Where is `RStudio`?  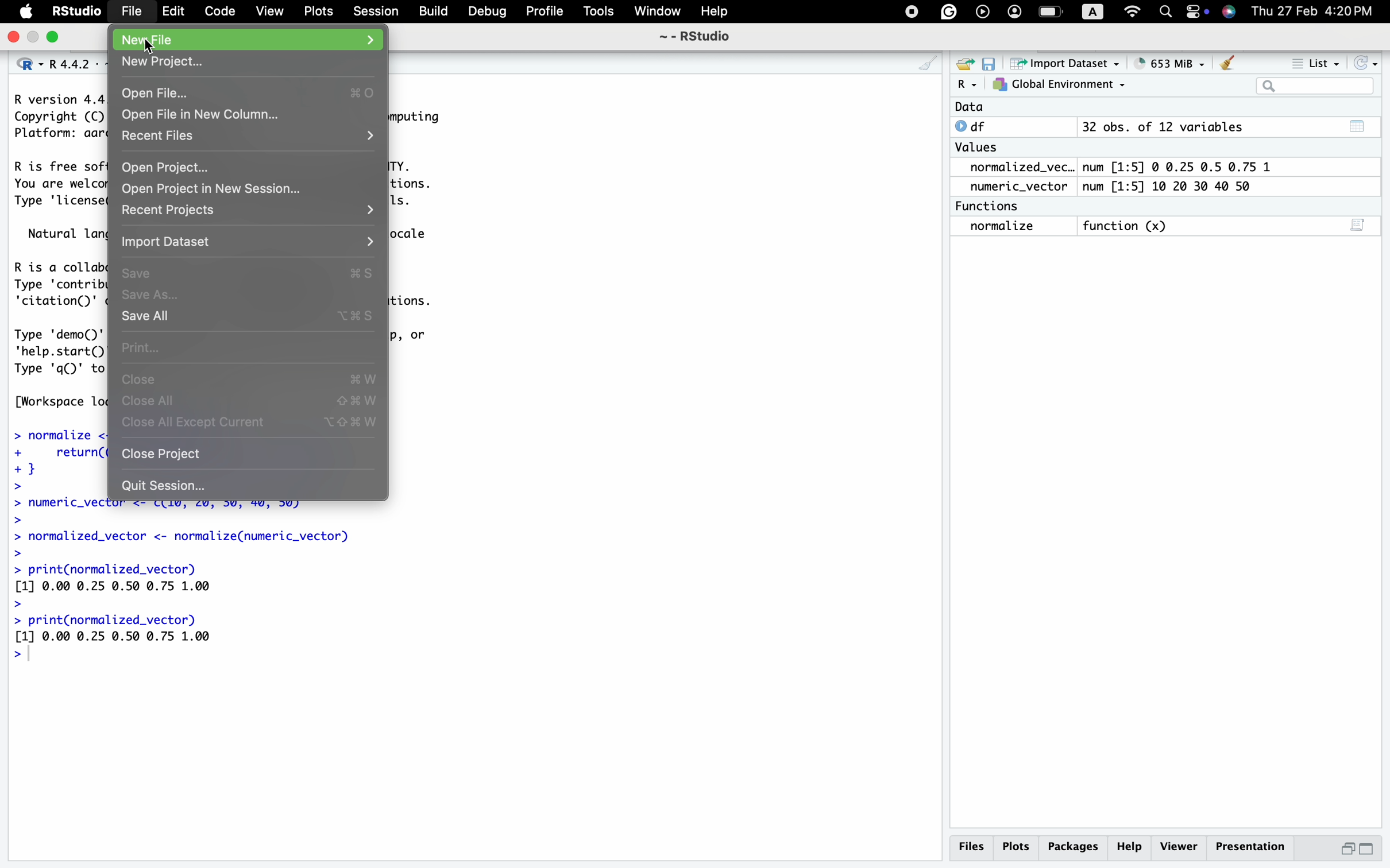 RStudio is located at coordinates (78, 13).